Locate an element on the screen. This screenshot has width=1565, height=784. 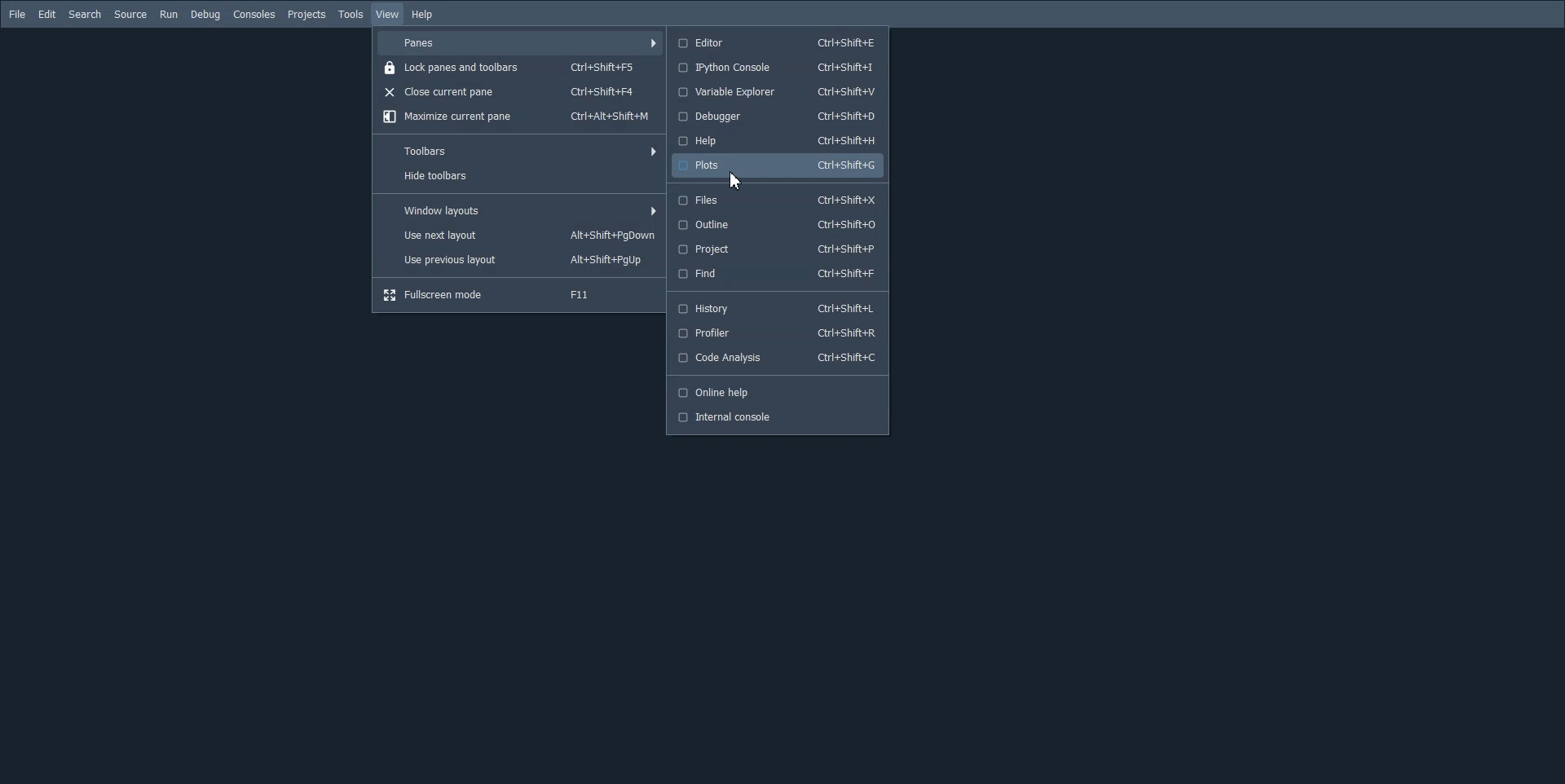
Tools is located at coordinates (350, 14).